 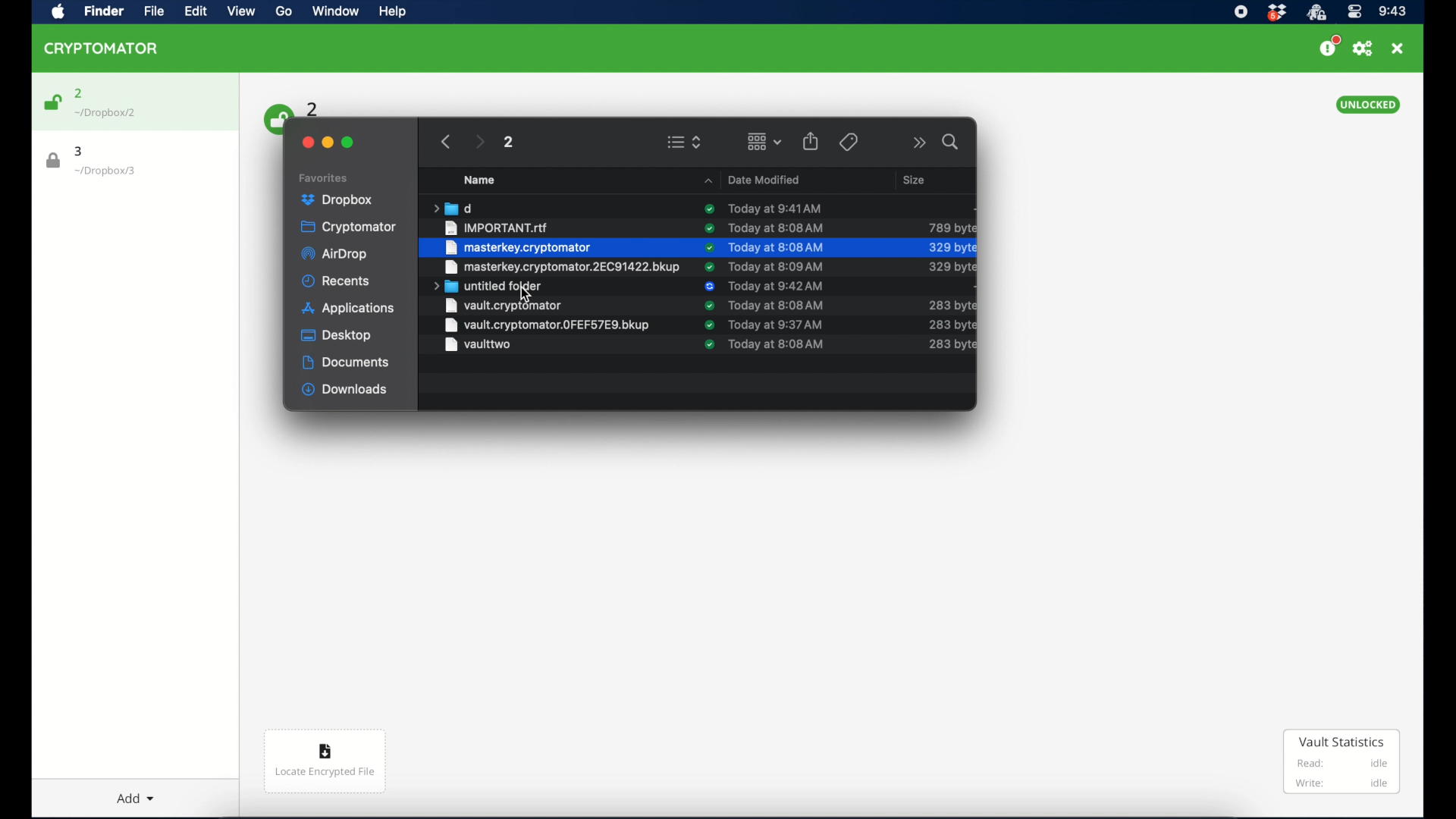 I want to click on name, so click(x=479, y=180).